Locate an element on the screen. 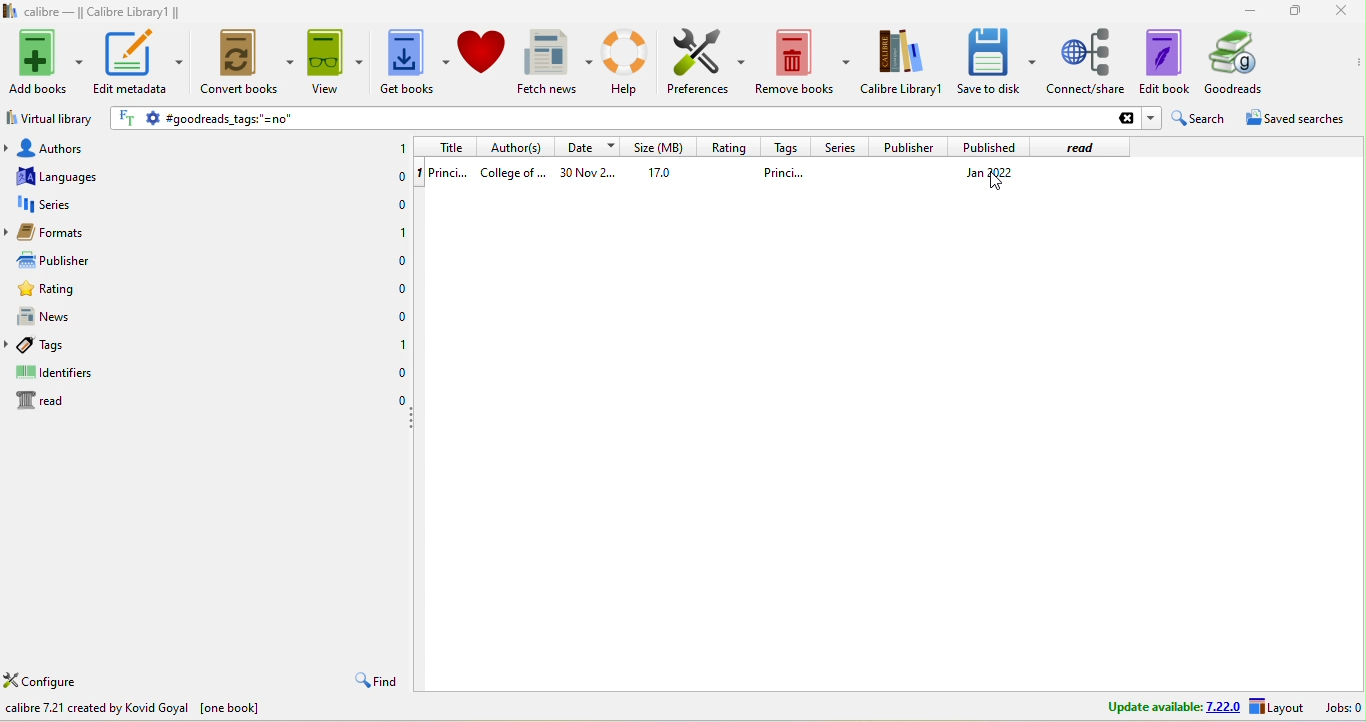 This screenshot has width=1366, height=722. goodreads is located at coordinates (1244, 62).